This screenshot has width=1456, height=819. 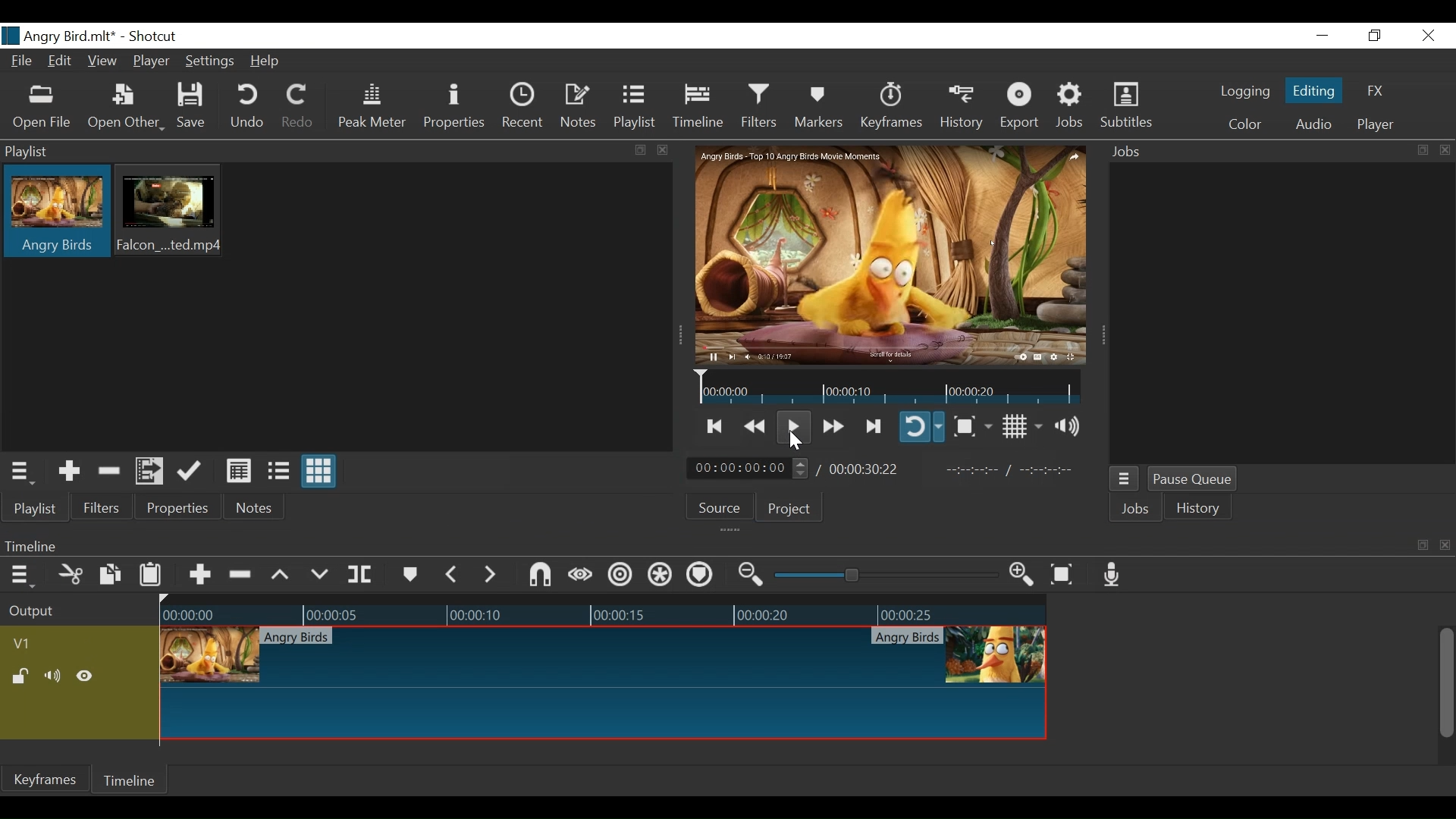 What do you see at coordinates (33, 644) in the screenshot?
I see `Video track name` at bounding box center [33, 644].